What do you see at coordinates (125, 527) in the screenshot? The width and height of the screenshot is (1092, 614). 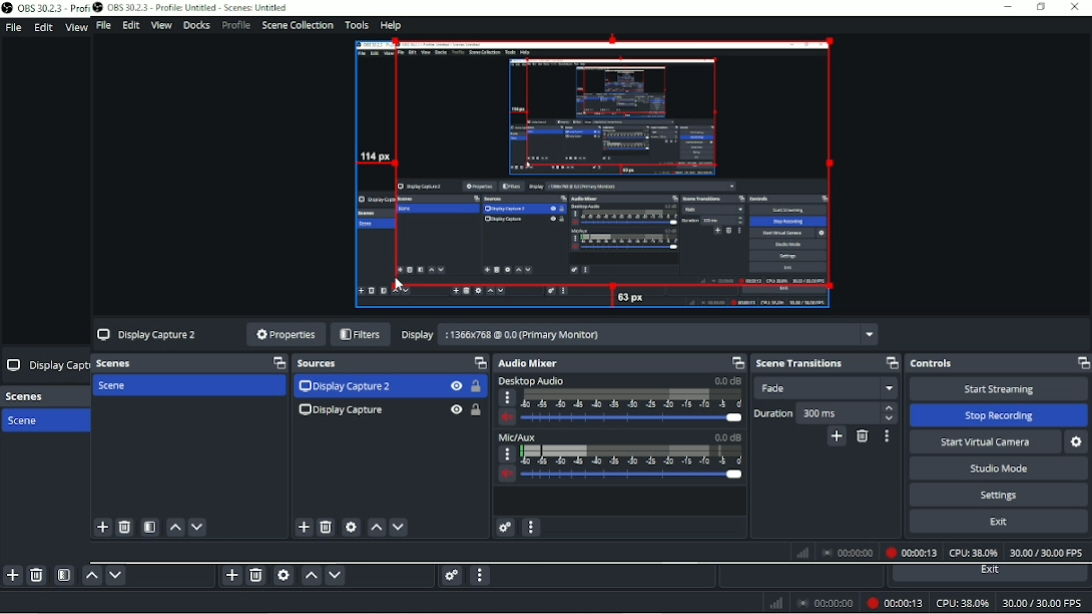 I see `delete` at bounding box center [125, 527].